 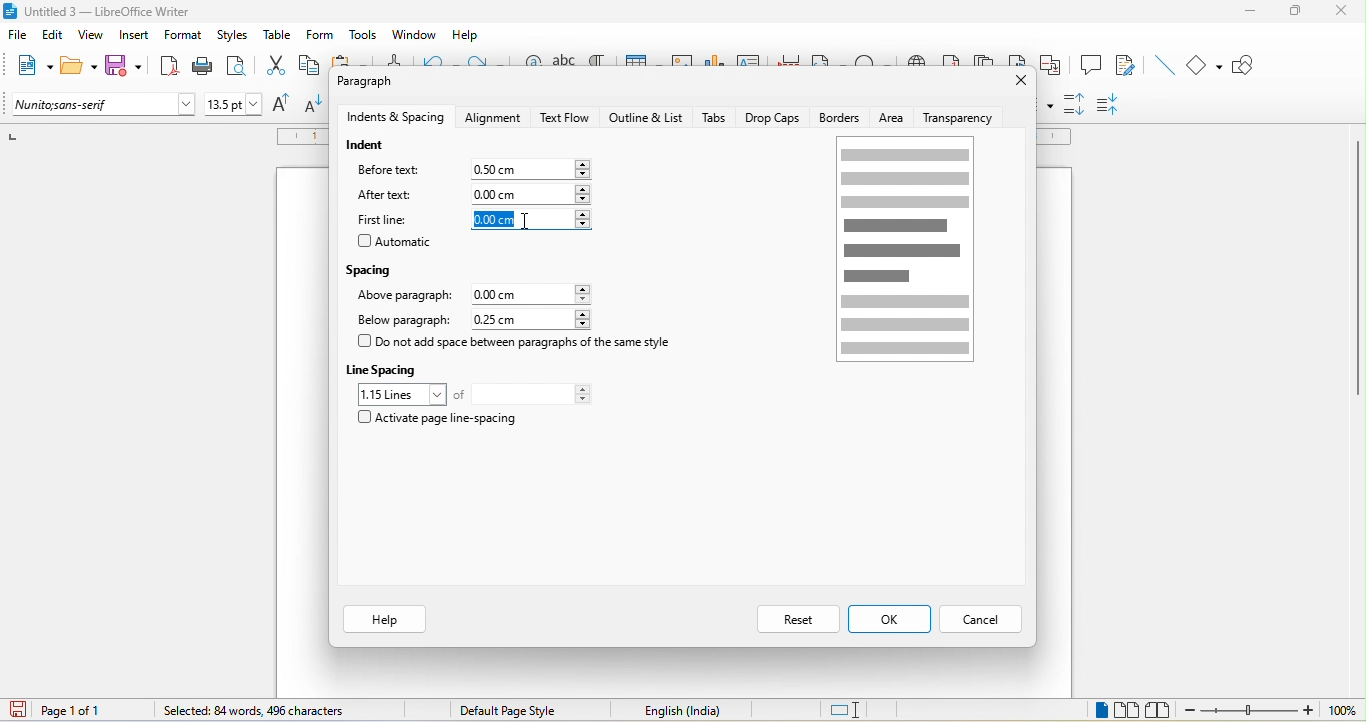 I want to click on increase paragraph spacing, so click(x=1073, y=102).